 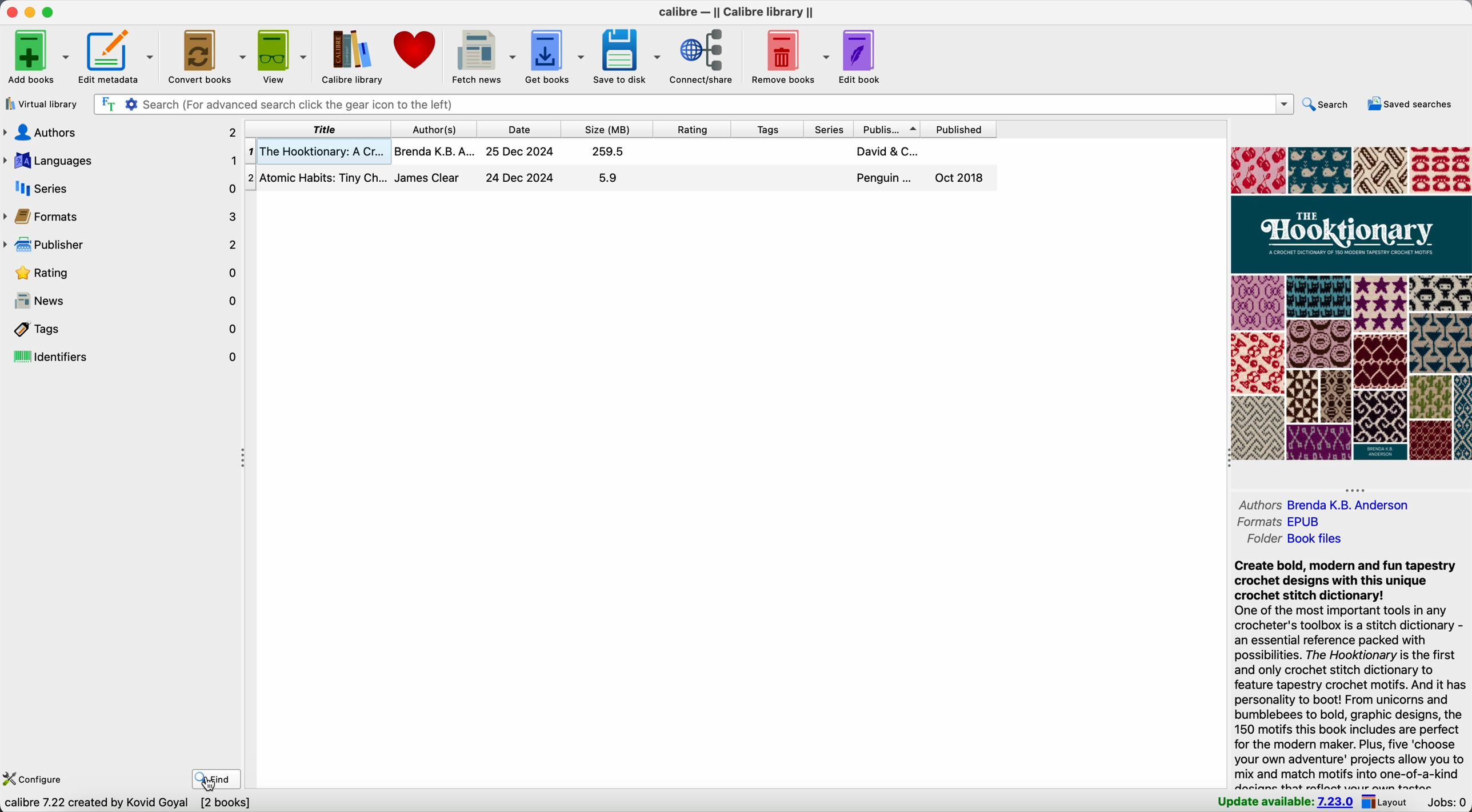 I want to click on maximize, so click(x=51, y=12).